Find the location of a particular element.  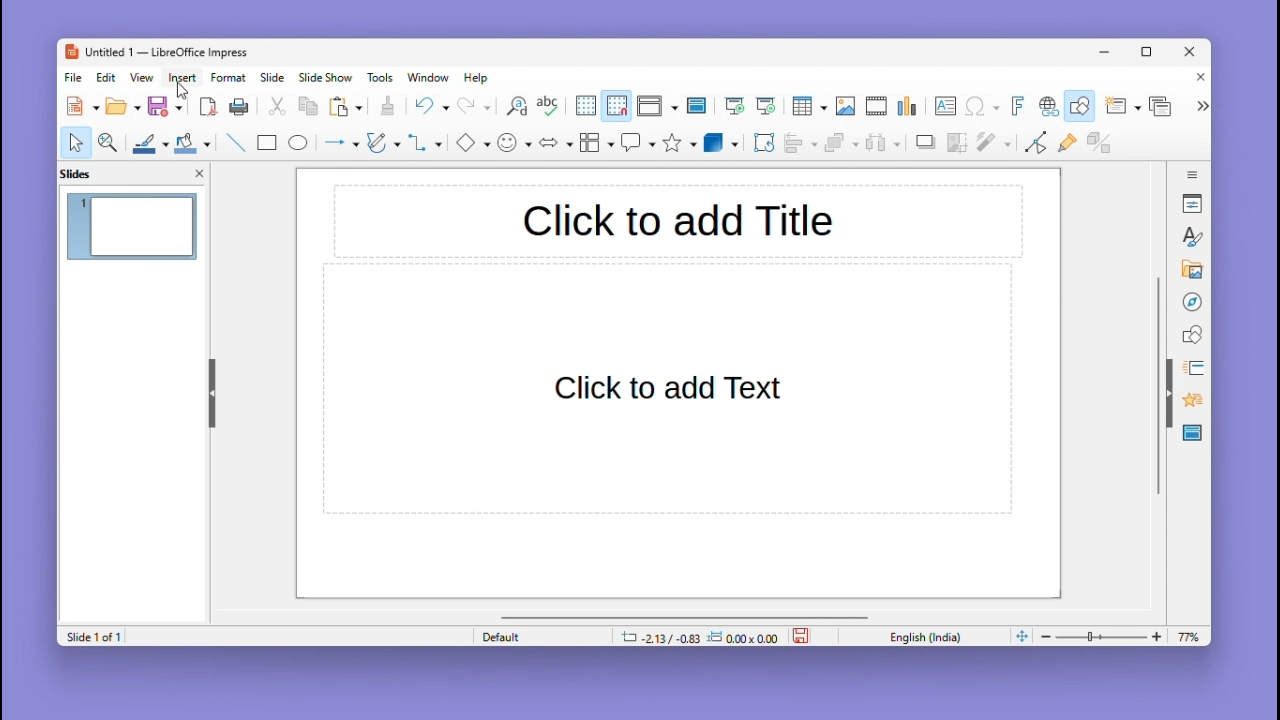

cut is located at coordinates (278, 107).